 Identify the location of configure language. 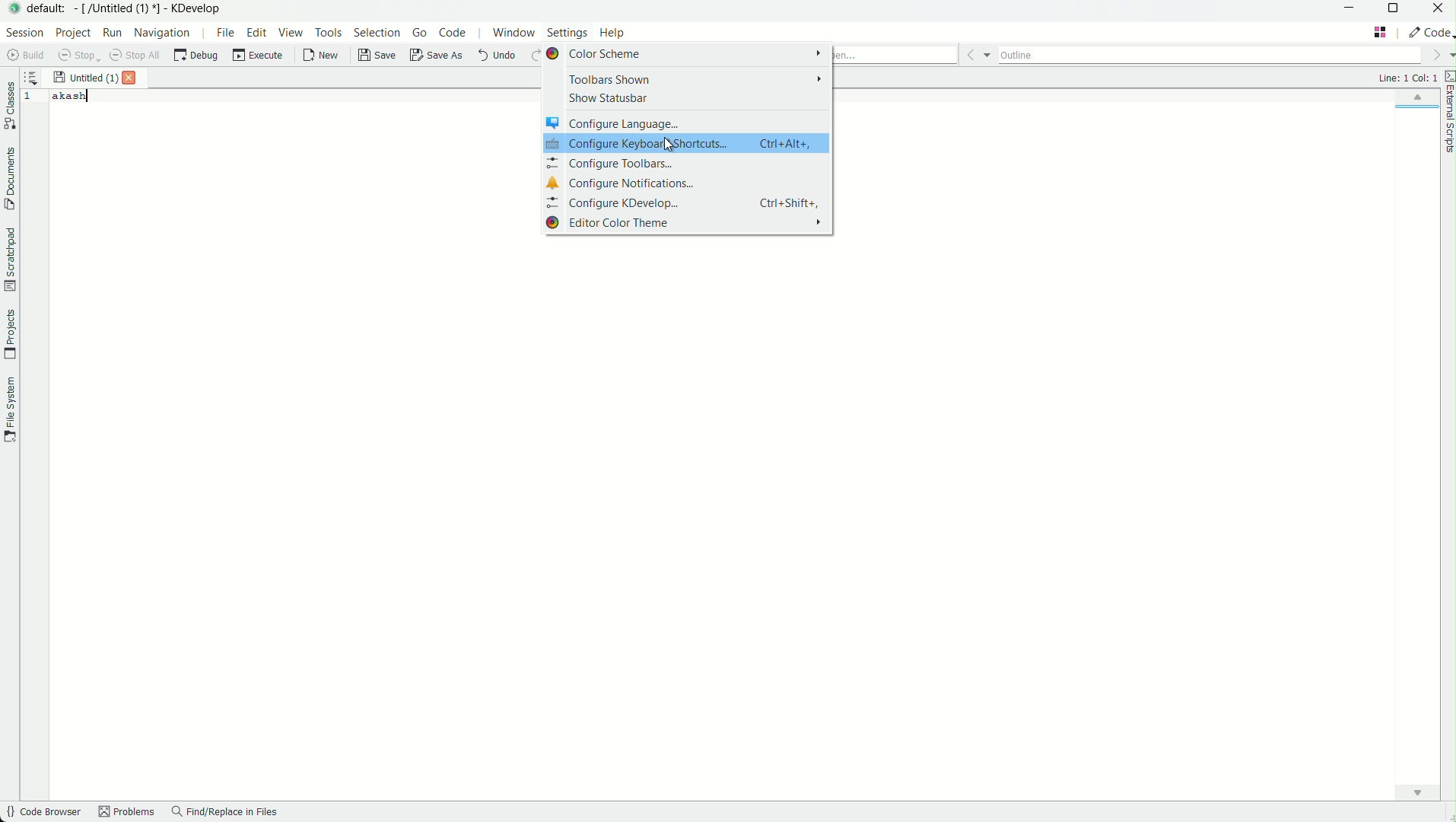
(685, 123).